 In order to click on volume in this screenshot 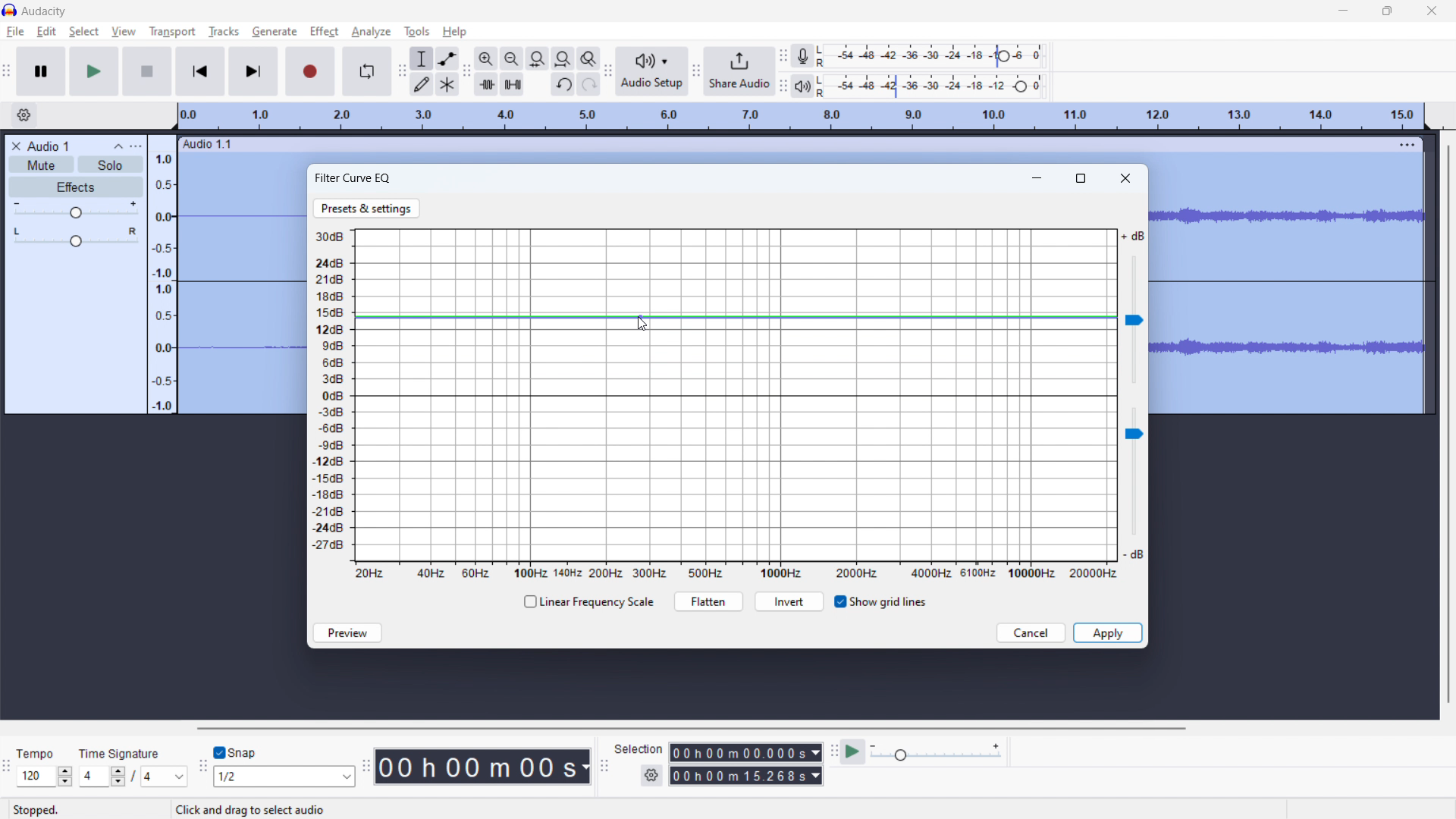, I will do `click(77, 210)`.